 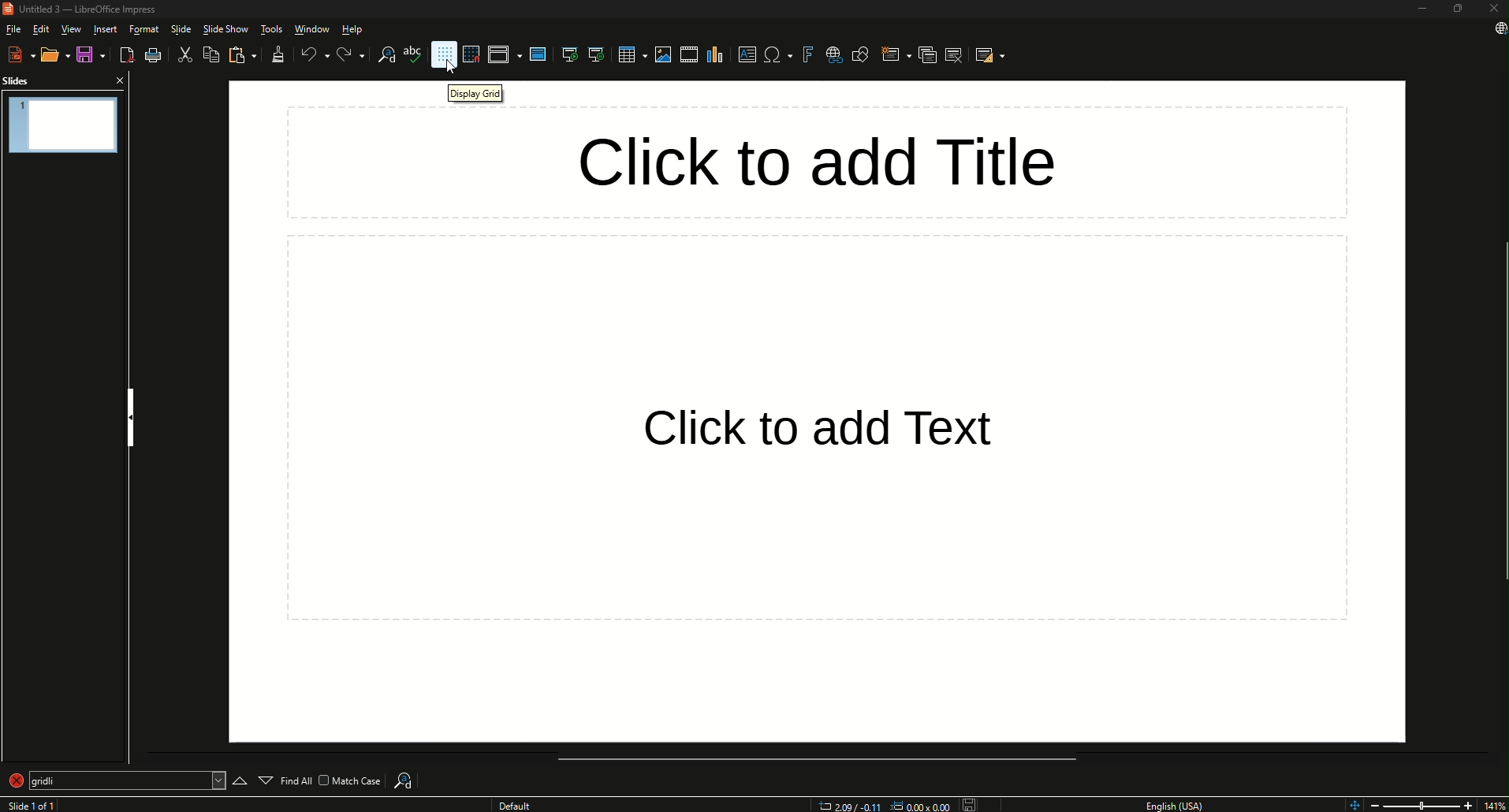 I want to click on 14%, so click(x=1494, y=803).